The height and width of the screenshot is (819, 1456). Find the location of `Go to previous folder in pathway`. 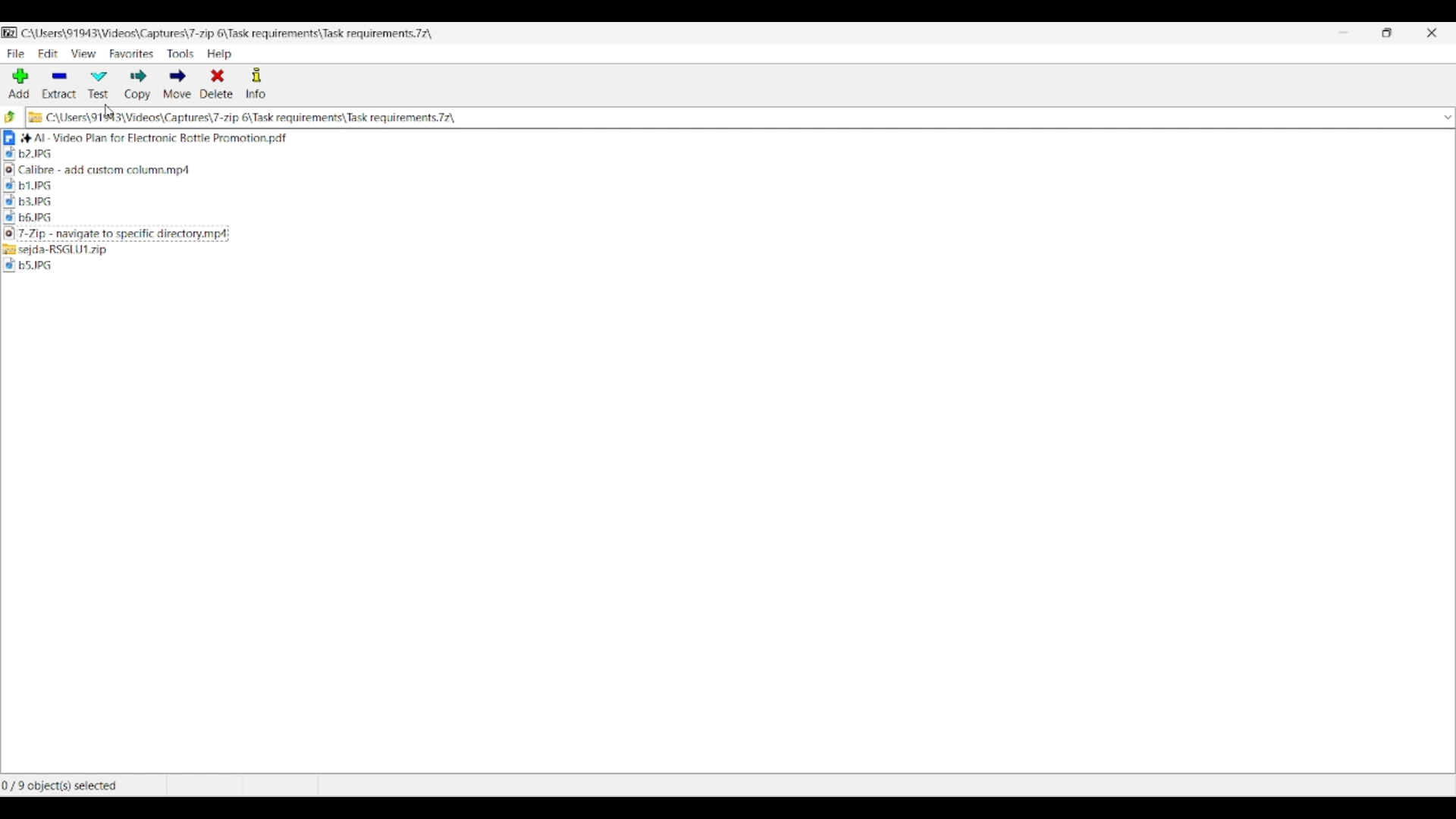

Go to previous folder in pathway is located at coordinates (11, 116).